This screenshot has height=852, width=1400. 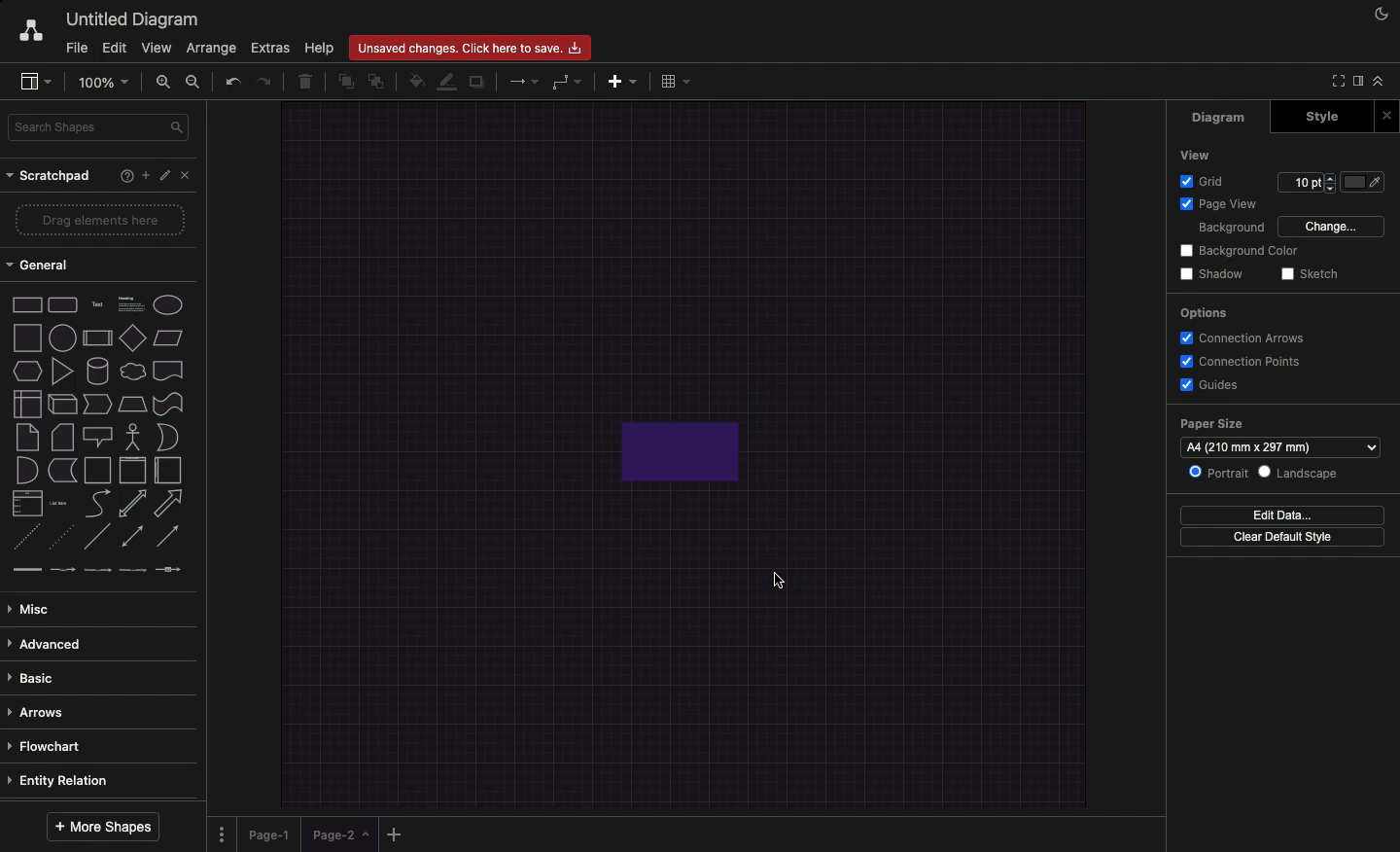 What do you see at coordinates (518, 80) in the screenshot?
I see `Arrows` at bounding box center [518, 80].